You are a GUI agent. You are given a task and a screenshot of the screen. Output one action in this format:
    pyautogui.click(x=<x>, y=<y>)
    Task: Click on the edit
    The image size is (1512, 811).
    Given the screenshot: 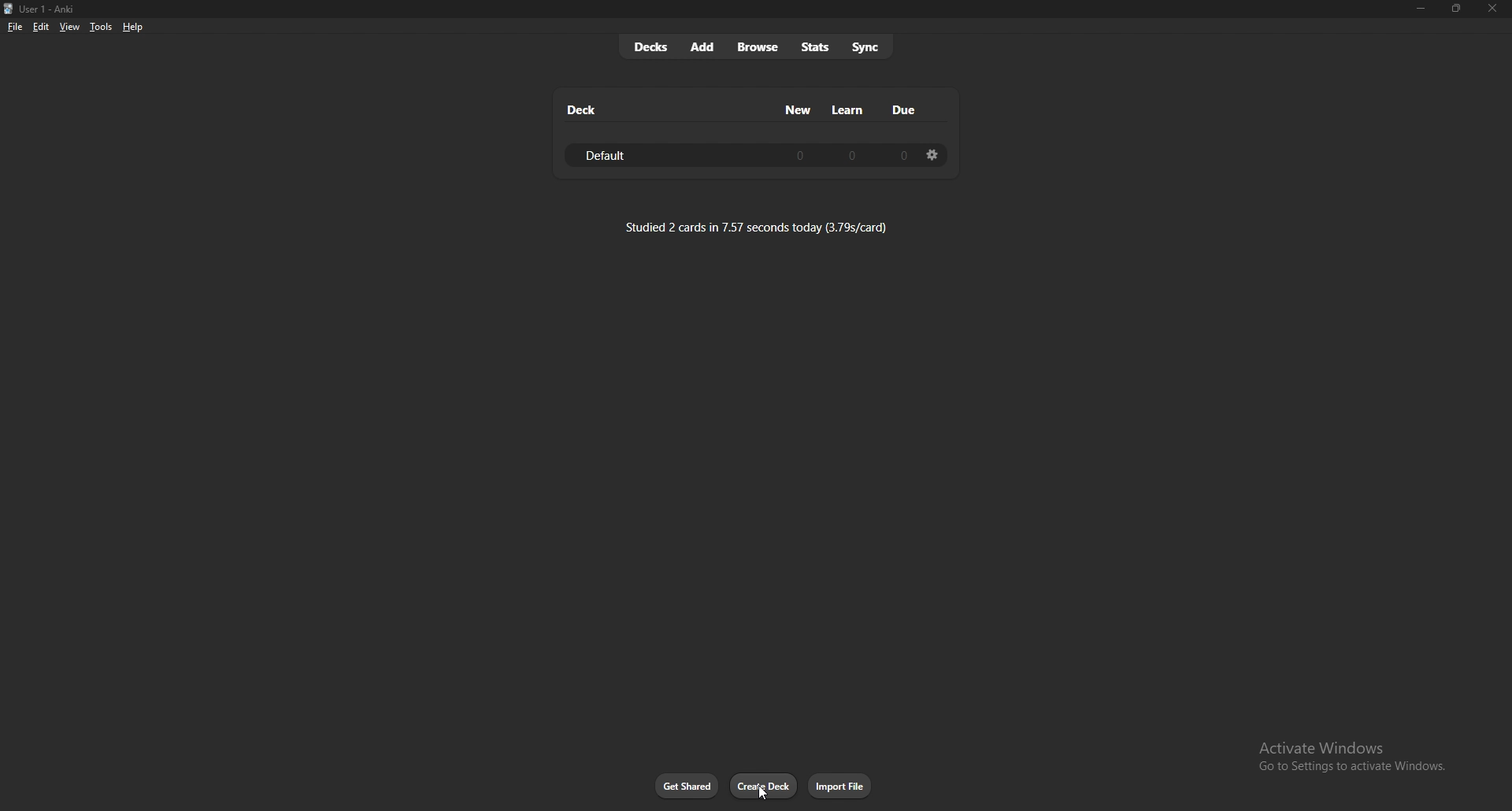 What is the action you would take?
    pyautogui.click(x=39, y=28)
    